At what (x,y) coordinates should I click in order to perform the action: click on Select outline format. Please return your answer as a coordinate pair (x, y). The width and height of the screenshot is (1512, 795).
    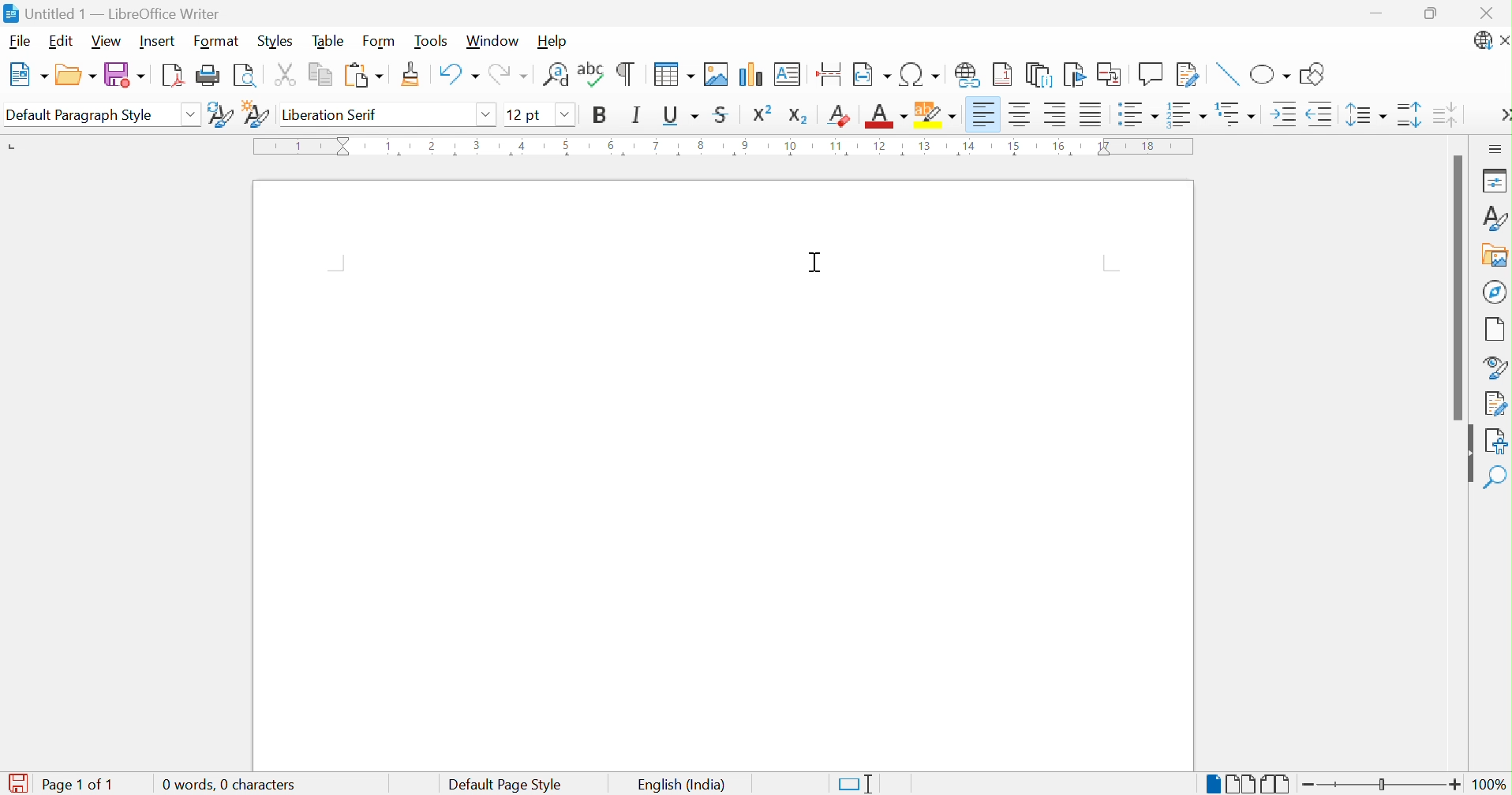
    Looking at the image, I should click on (1237, 113).